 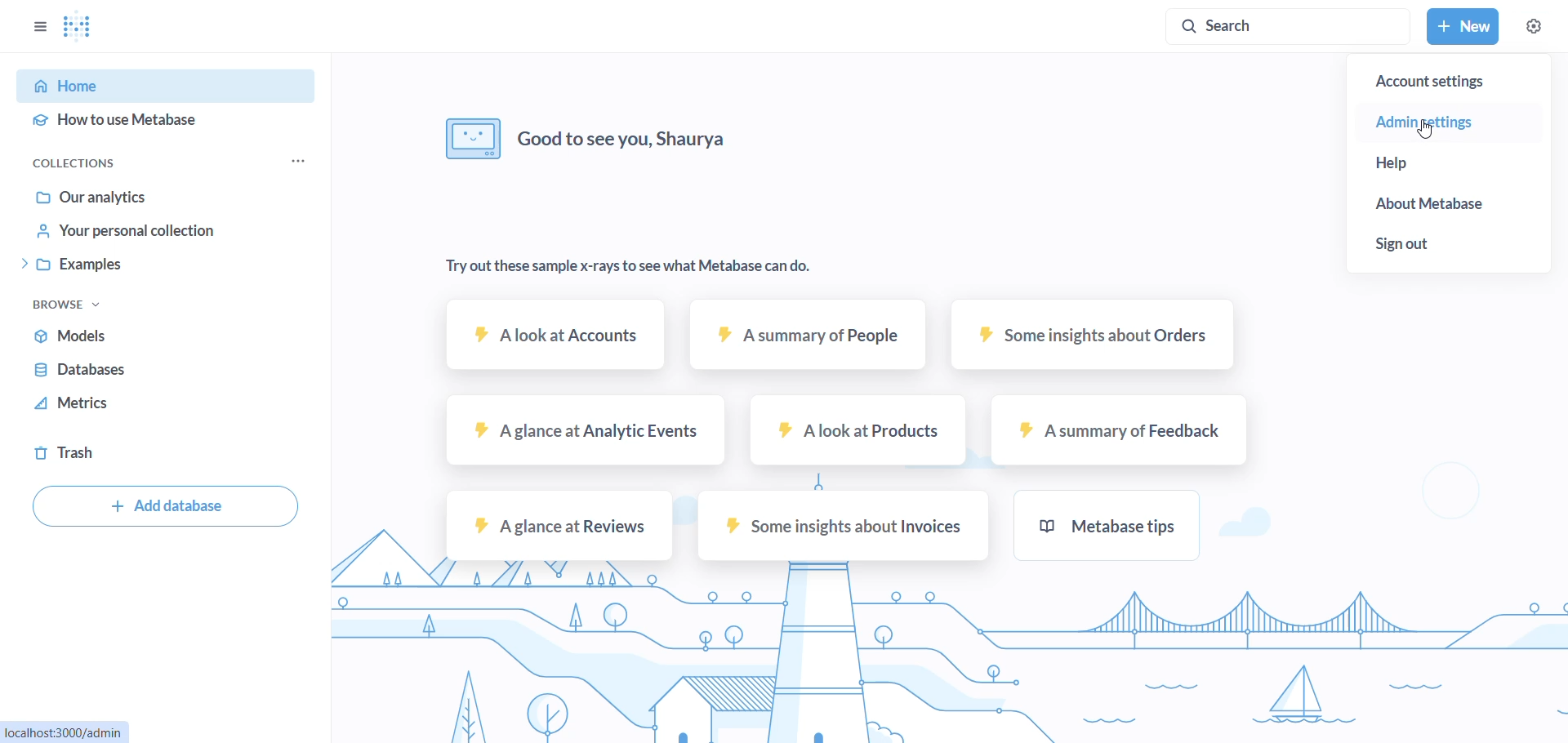 I want to click on browse, so click(x=73, y=304).